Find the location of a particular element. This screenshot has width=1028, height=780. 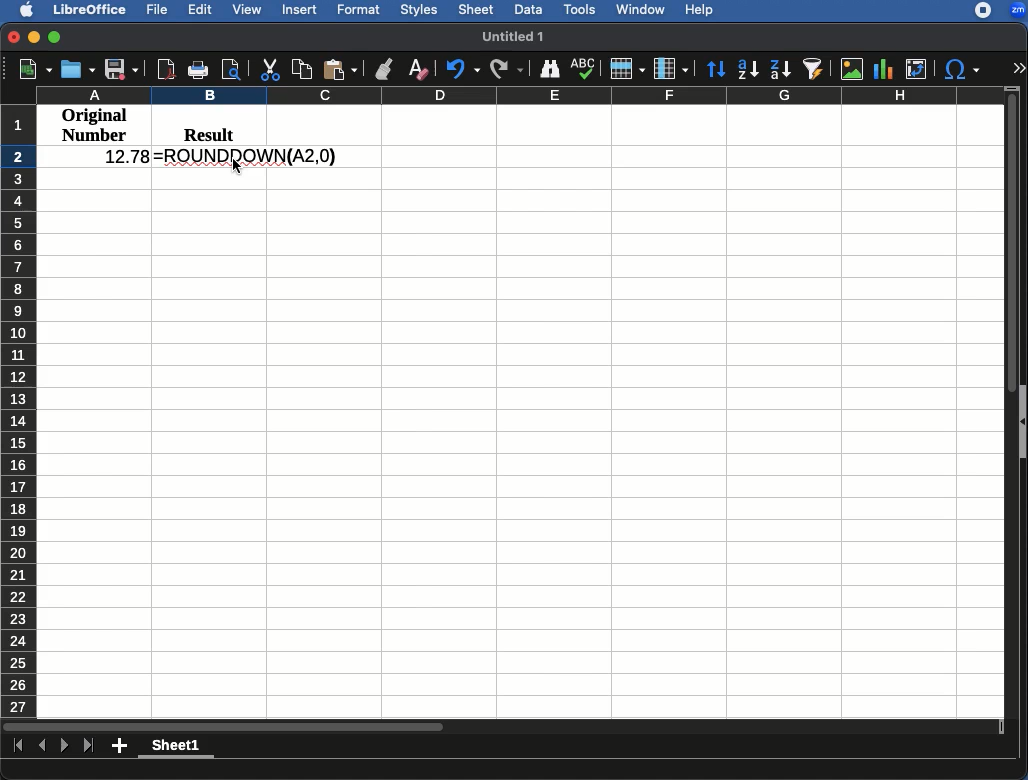

=ROUNDDOWN(A2,0) is located at coordinates (246, 157).